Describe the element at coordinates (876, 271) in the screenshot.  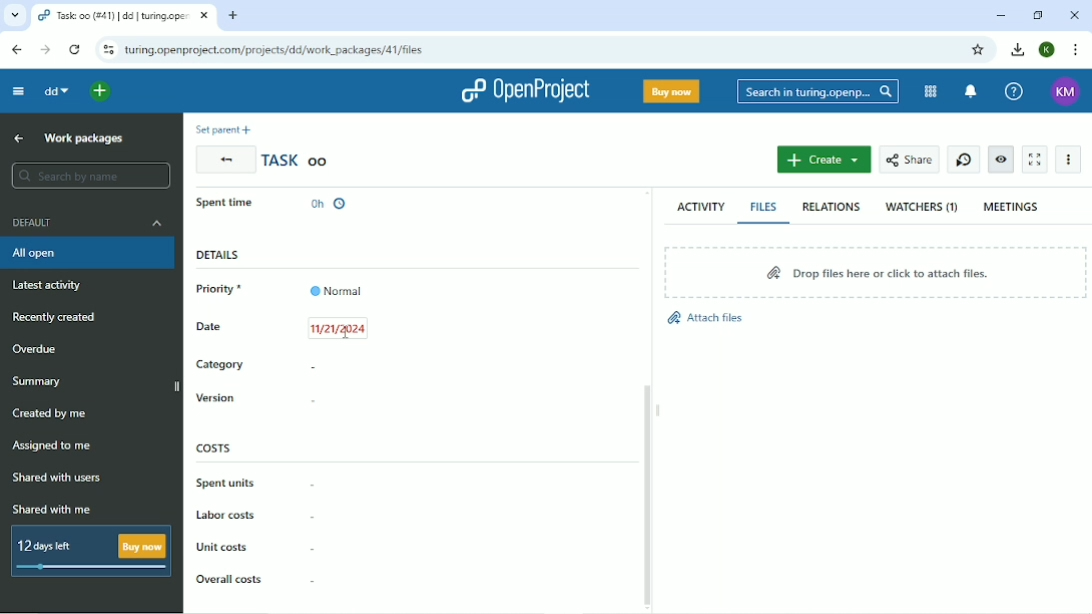
I see `Drop files here or click to attach files.` at that location.